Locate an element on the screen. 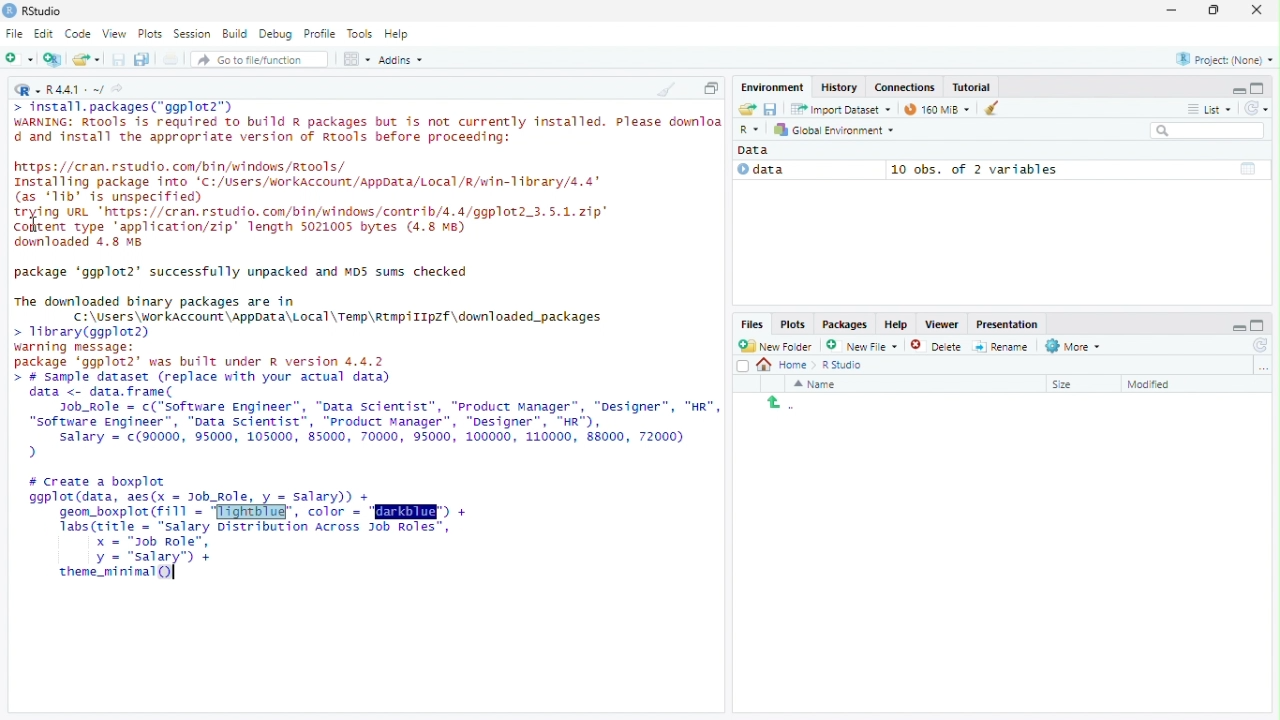  Files is located at coordinates (753, 325).